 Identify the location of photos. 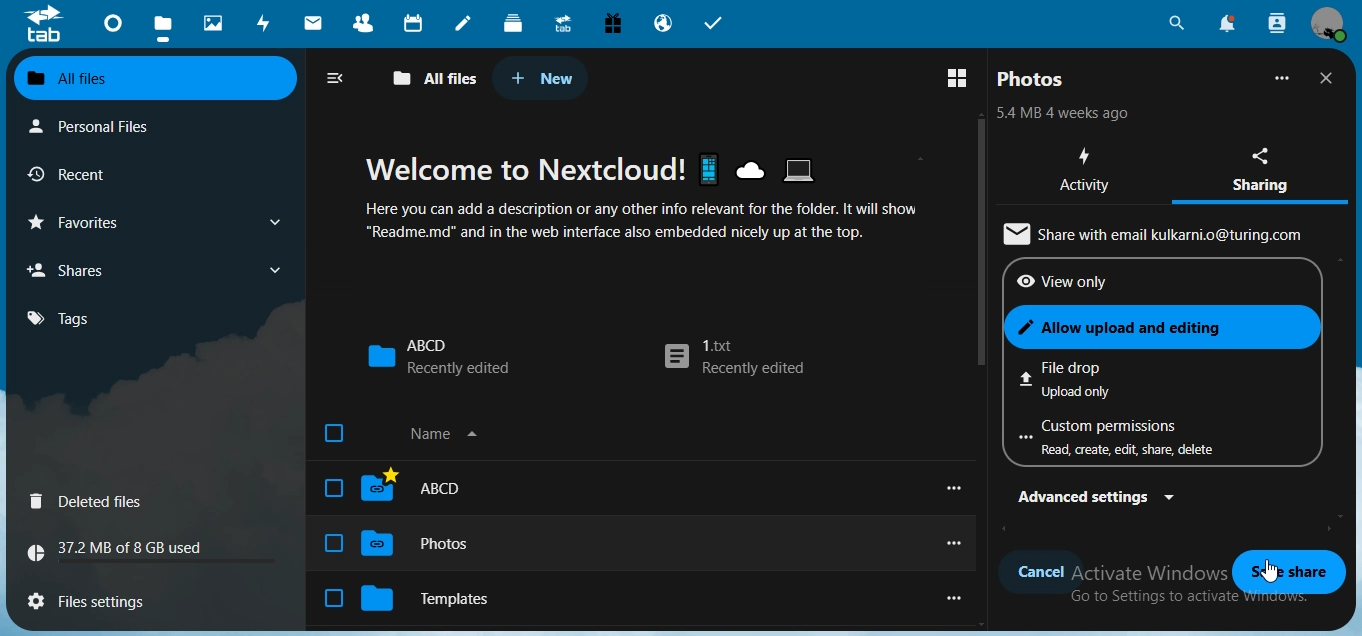
(1033, 79).